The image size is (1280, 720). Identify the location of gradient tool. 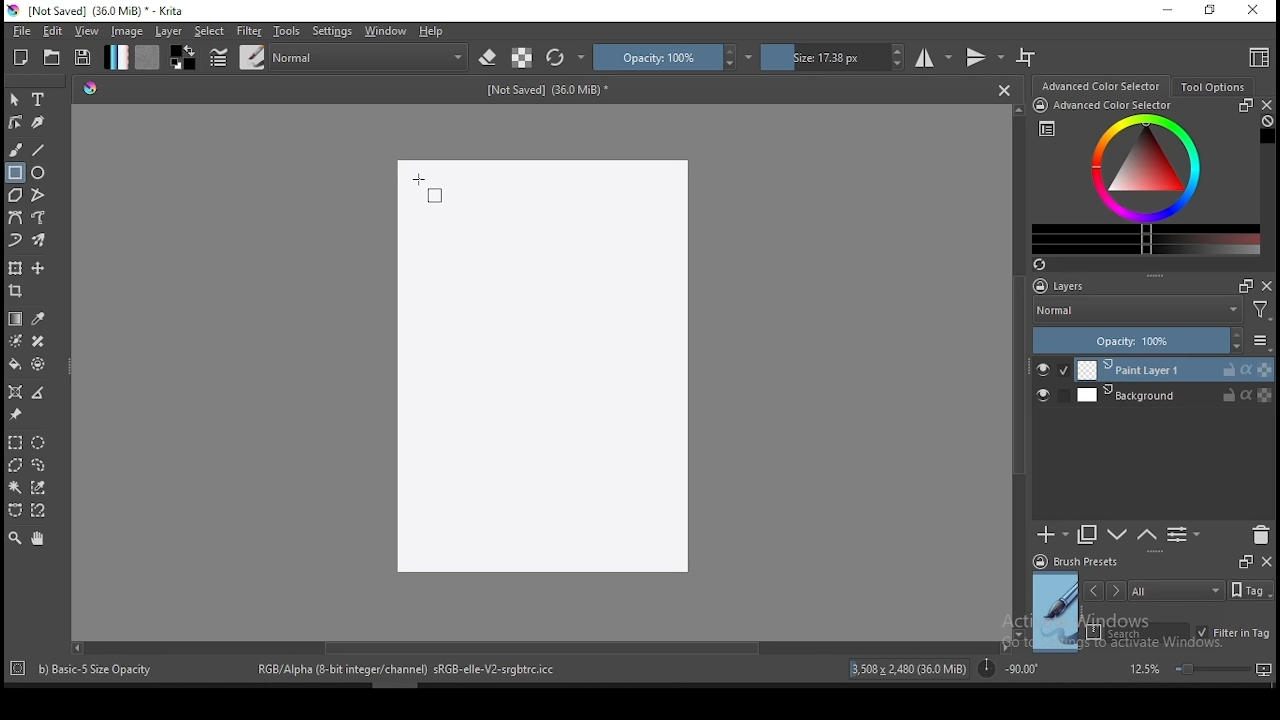
(16, 319).